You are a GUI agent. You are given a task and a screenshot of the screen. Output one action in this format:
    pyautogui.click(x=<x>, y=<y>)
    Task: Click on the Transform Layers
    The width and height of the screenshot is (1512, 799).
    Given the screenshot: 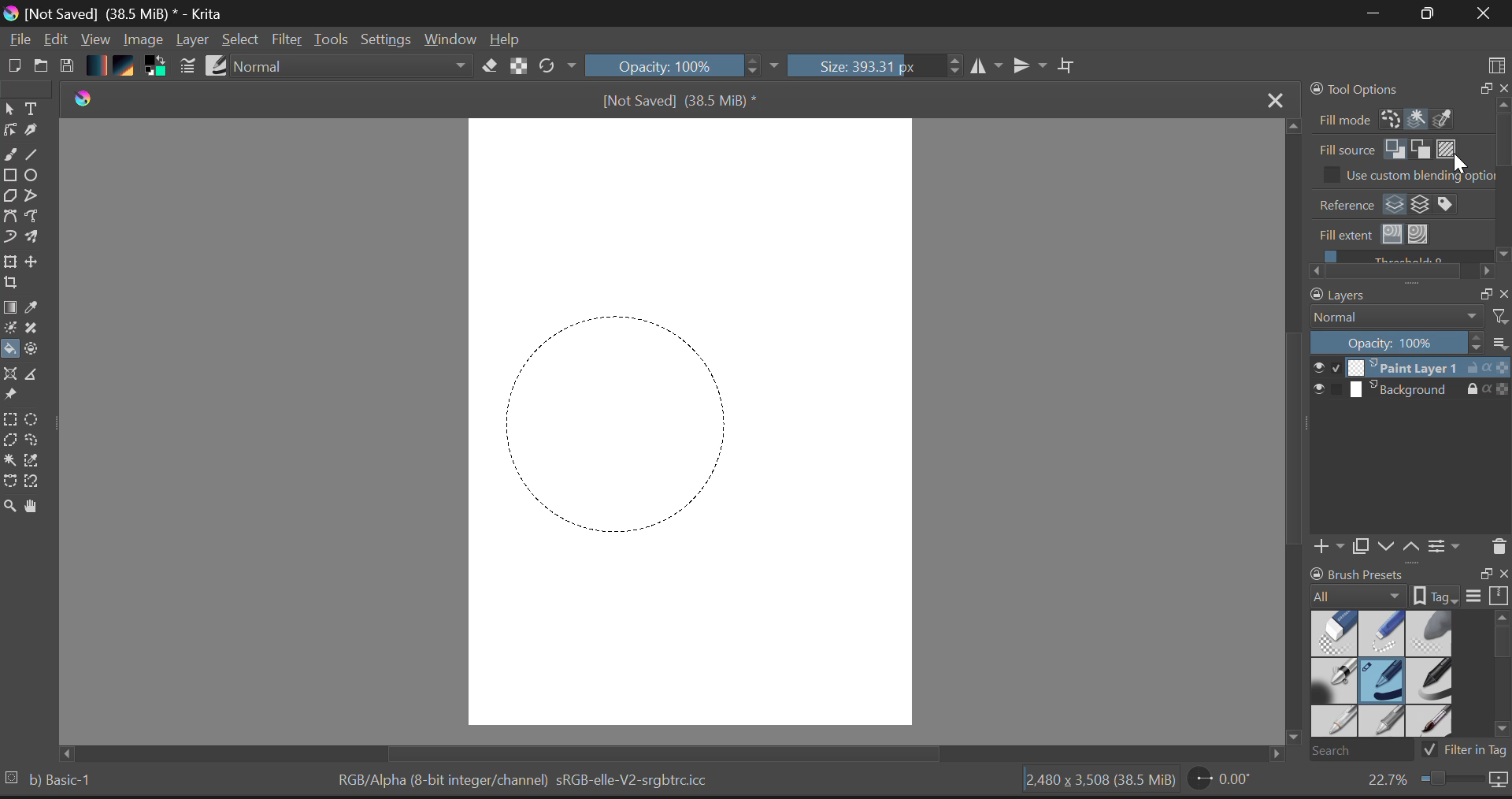 What is the action you would take?
    pyautogui.click(x=13, y=262)
    